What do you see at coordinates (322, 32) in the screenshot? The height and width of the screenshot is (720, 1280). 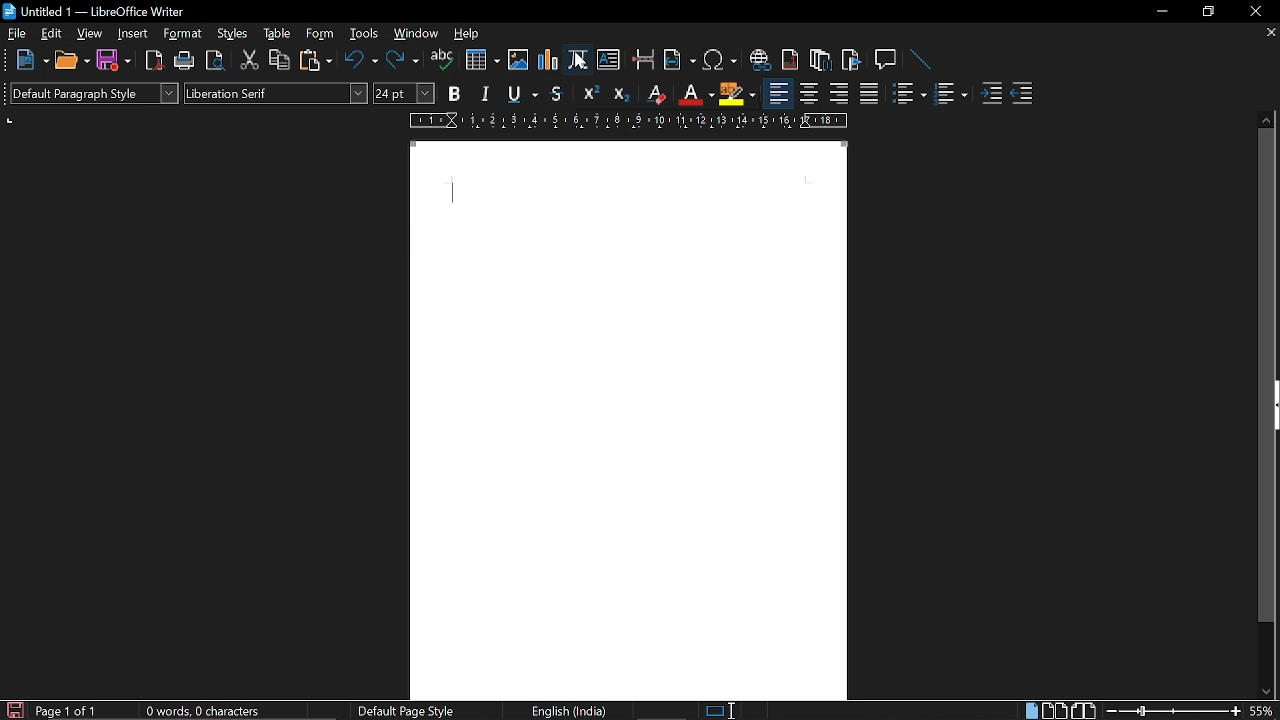 I see `form` at bounding box center [322, 32].